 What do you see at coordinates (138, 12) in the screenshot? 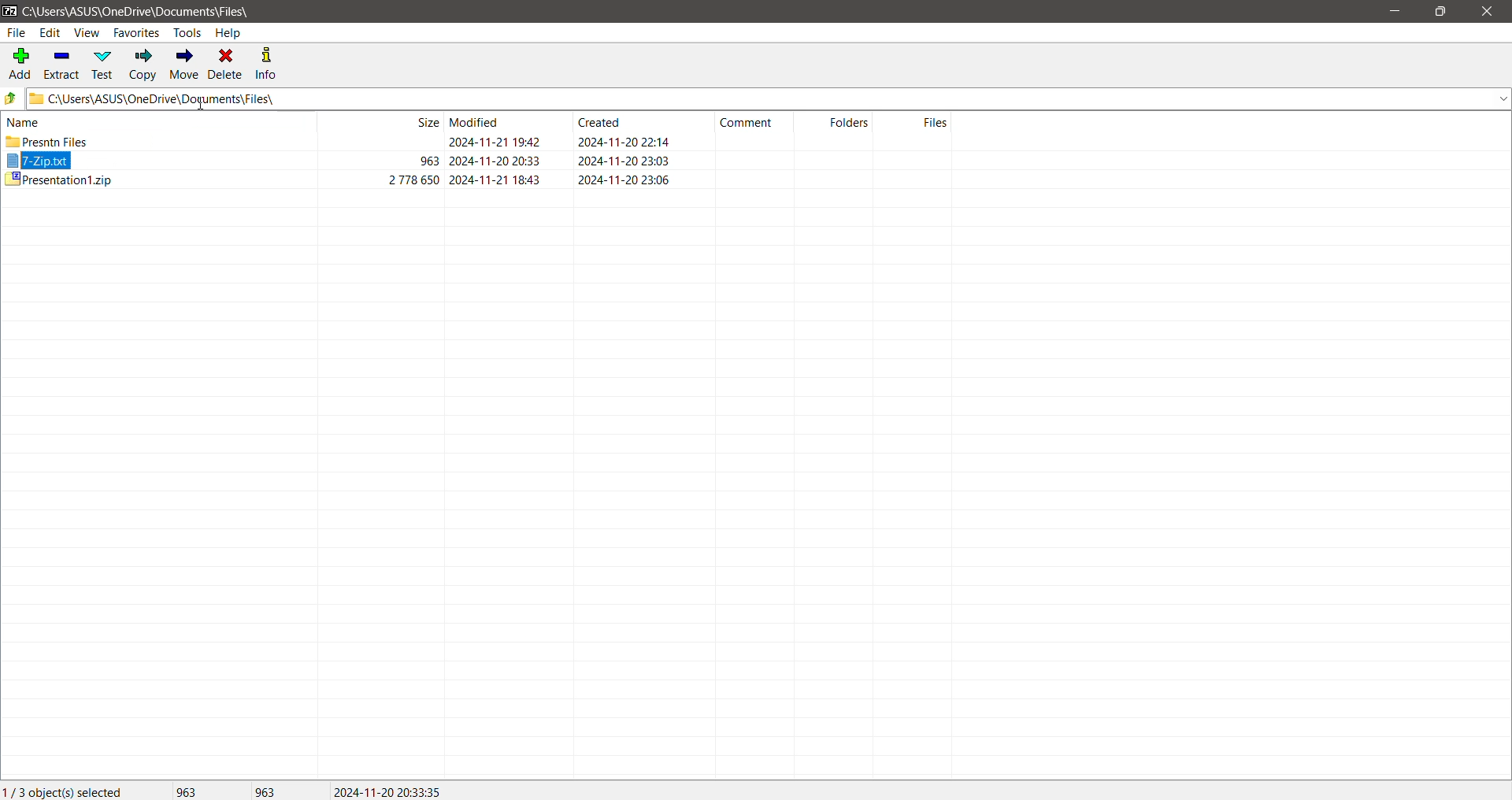
I see `Current Folder Path` at bounding box center [138, 12].